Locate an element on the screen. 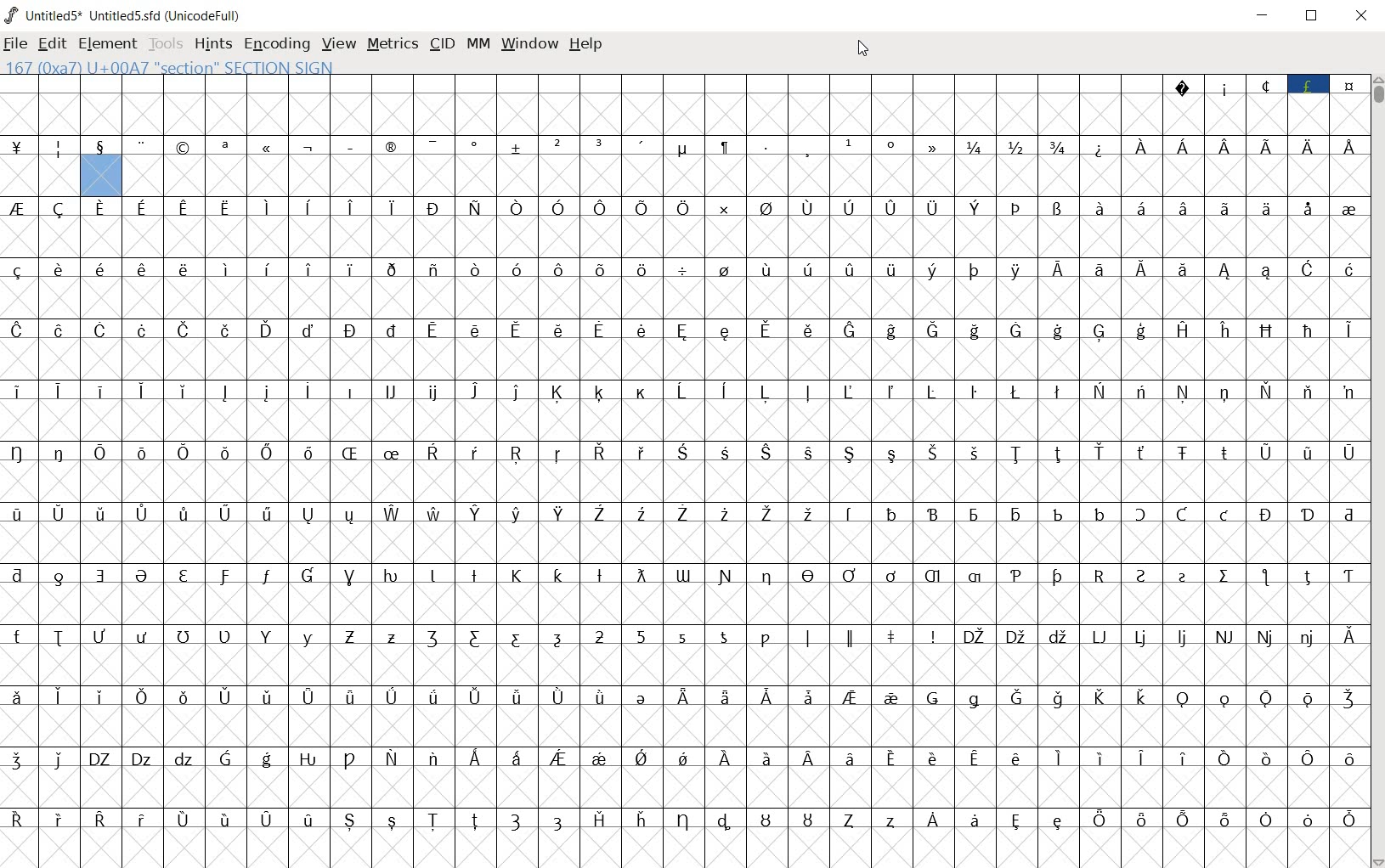 Image resolution: width=1385 pixels, height=868 pixels. special letters is located at coordinates (684, 514).